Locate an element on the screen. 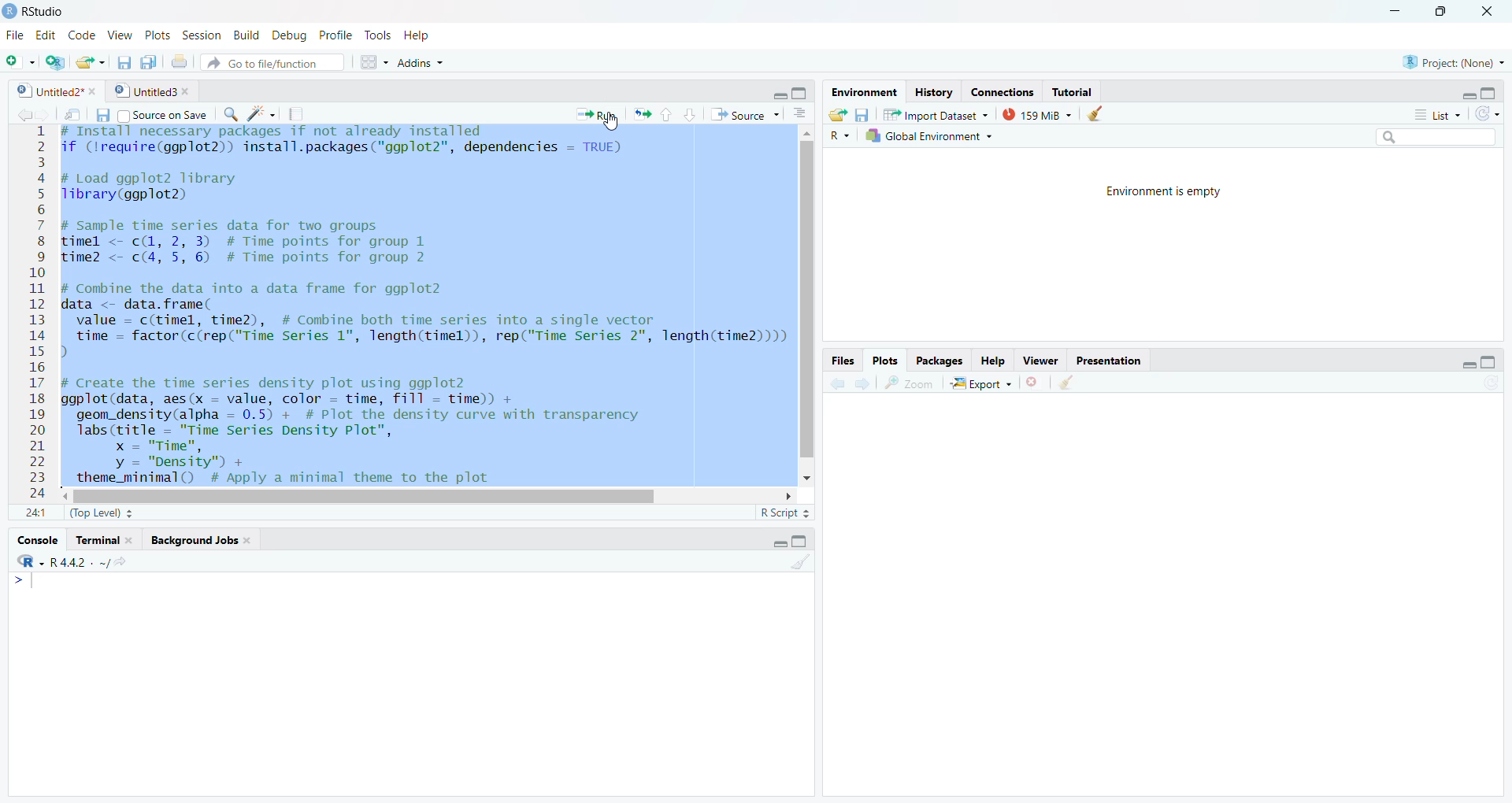 This screenshot has width=1512, height=803. Plots is located at coordinates (884, 362).